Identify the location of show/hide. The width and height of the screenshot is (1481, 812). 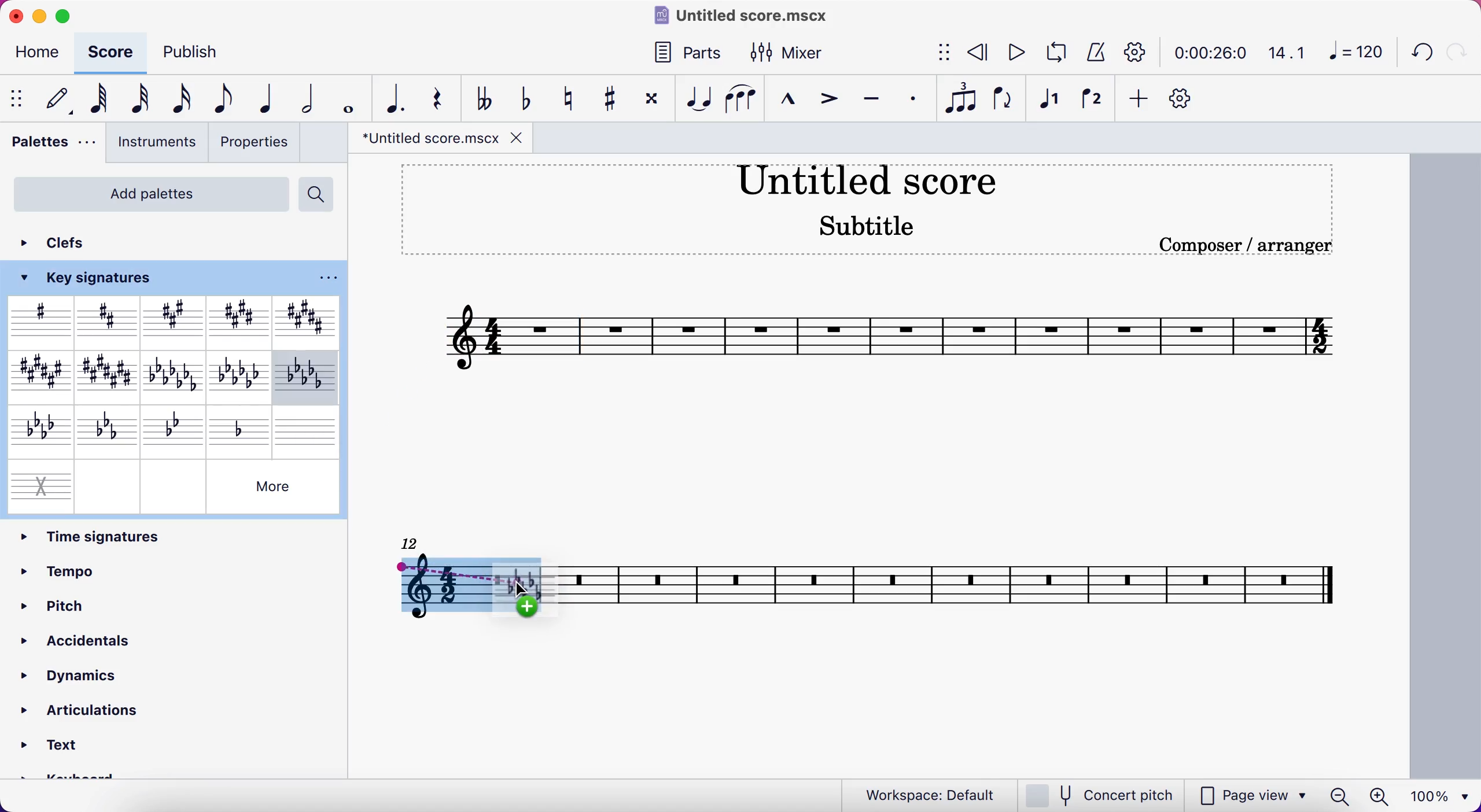
(943, 50).